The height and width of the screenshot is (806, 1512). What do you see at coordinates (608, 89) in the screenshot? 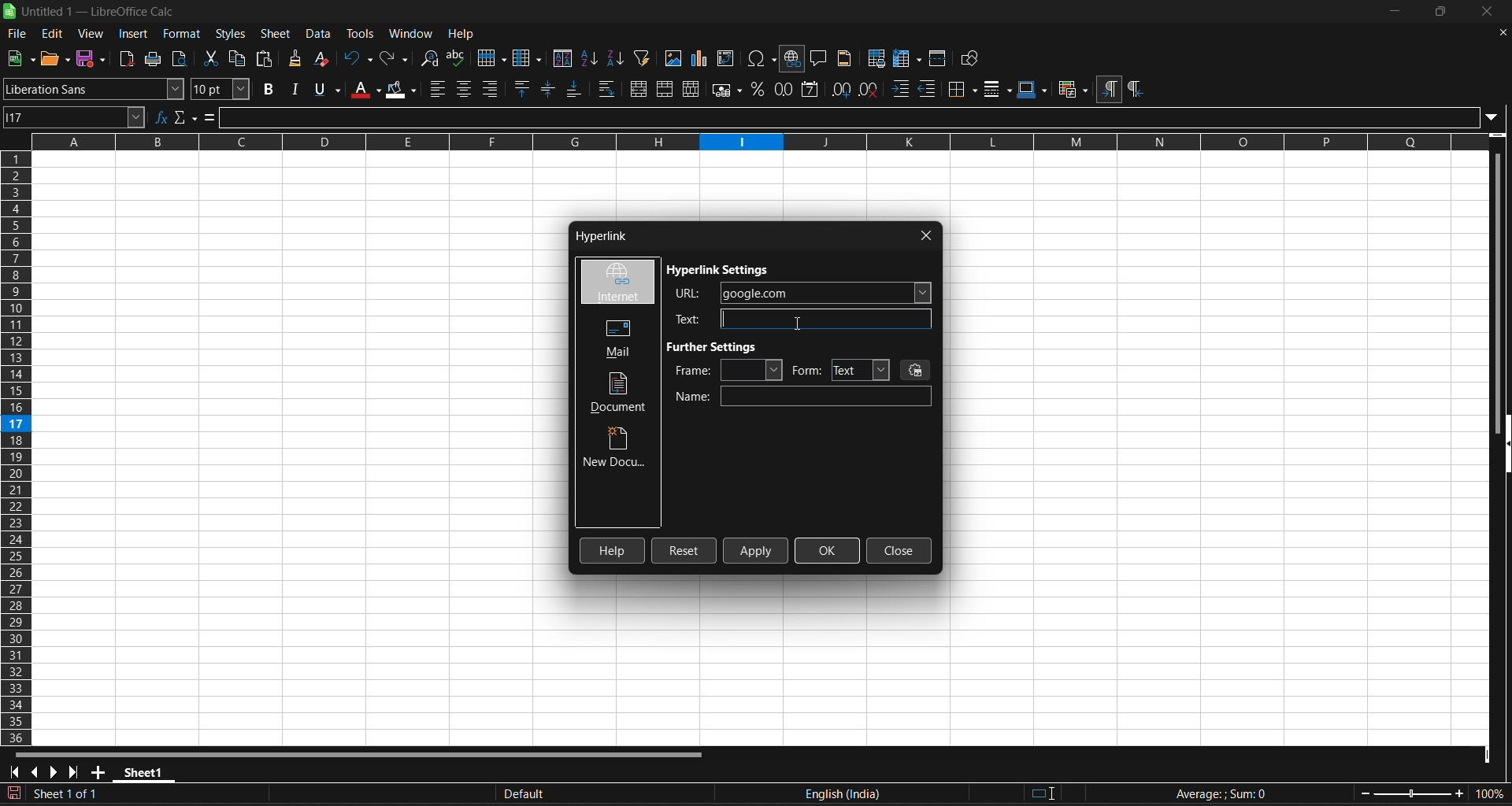
I see `wrap text` at bounding box center [608, 89].